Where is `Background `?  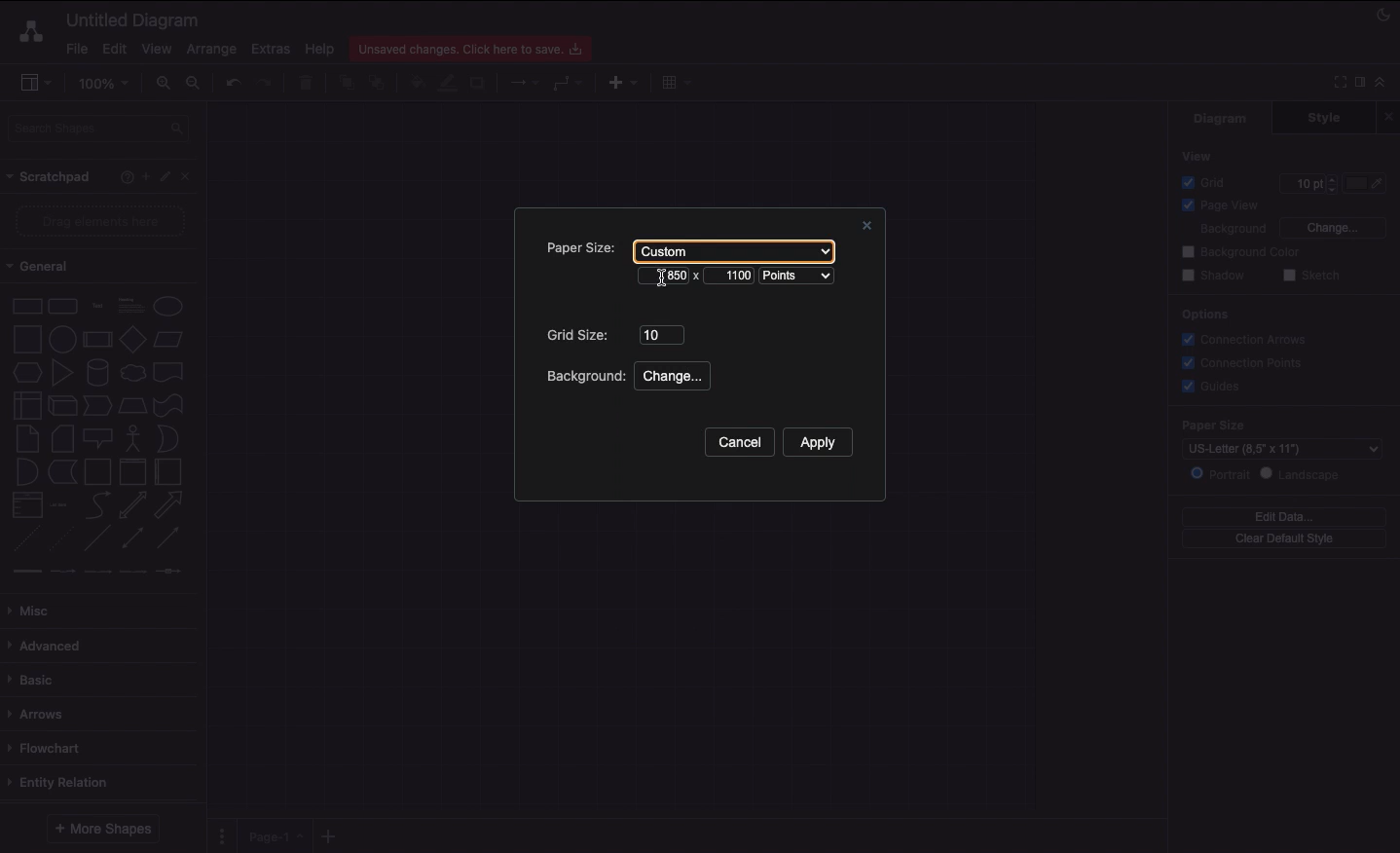 Background  is located at coordinates (1221, 230).